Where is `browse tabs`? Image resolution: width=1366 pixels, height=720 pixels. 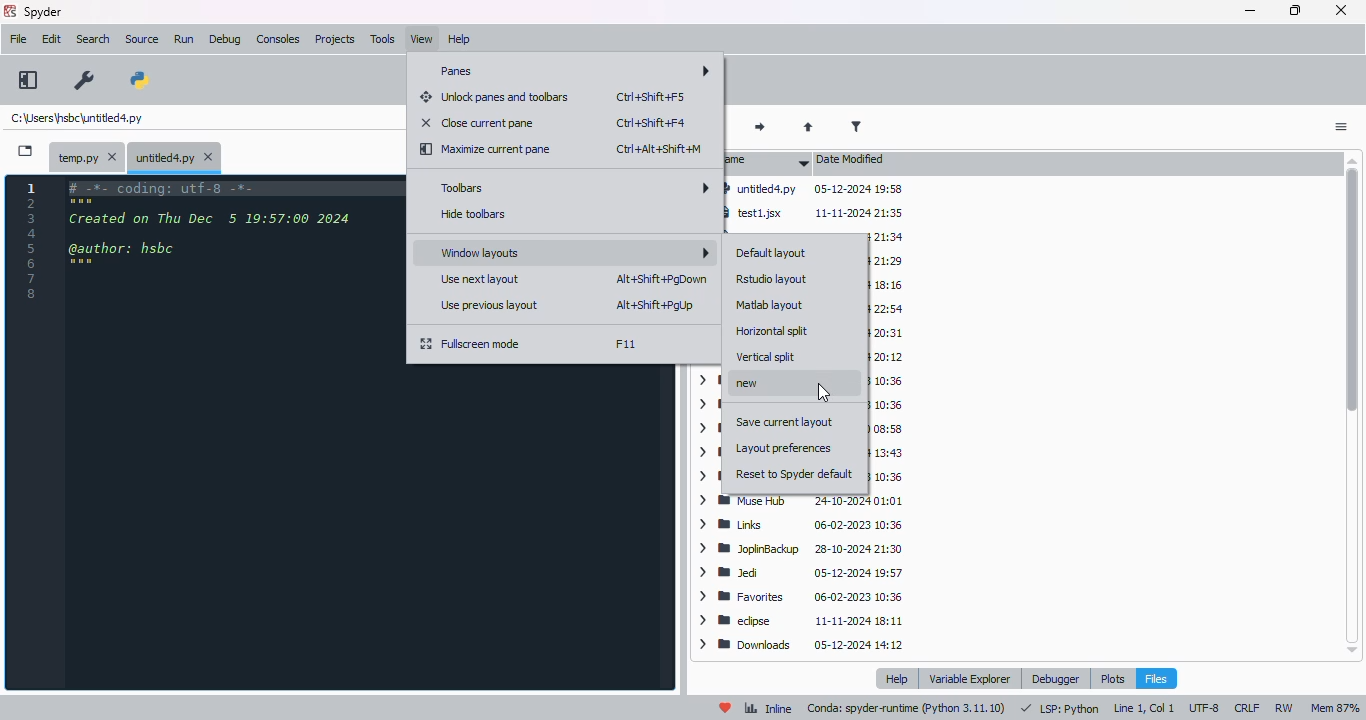 browse tabs is located at coordinates (26, 151).